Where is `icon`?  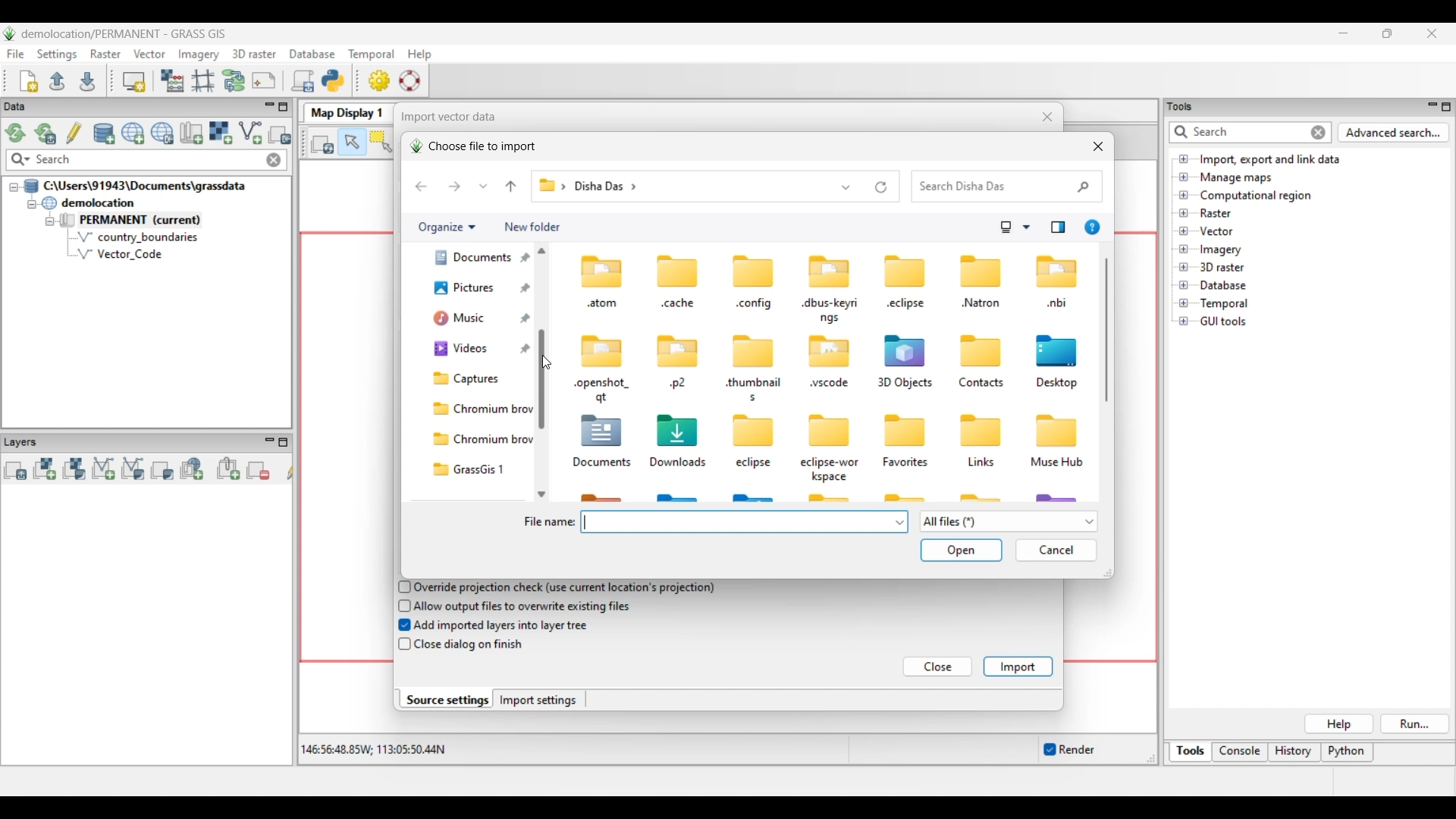 icon is located at coordinates (976, 350).